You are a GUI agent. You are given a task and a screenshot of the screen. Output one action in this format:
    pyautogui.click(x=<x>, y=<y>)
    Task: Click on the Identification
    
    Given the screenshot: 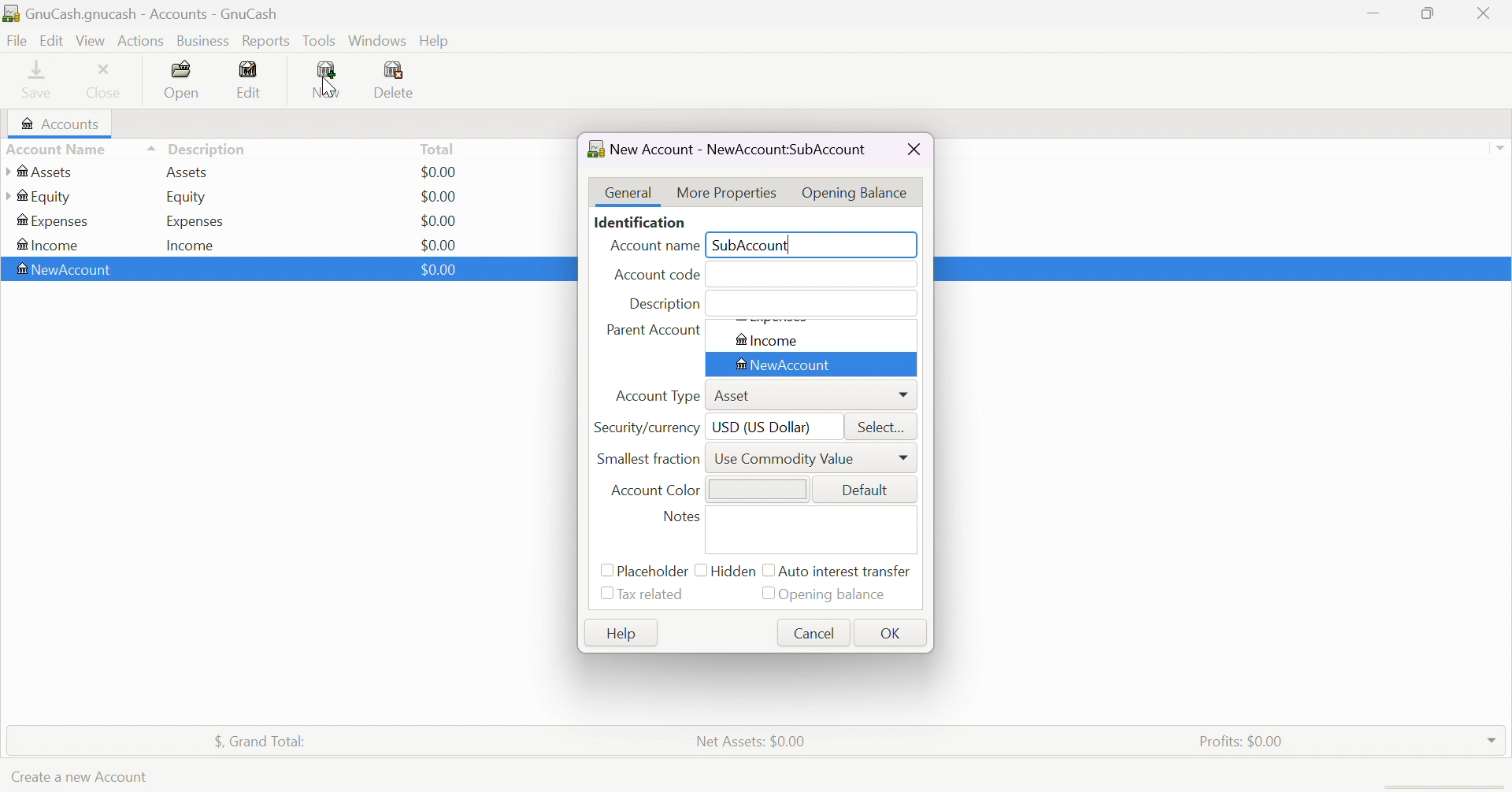 What is the action you would take?
    pyautogui.click(x=641, y=220)
    